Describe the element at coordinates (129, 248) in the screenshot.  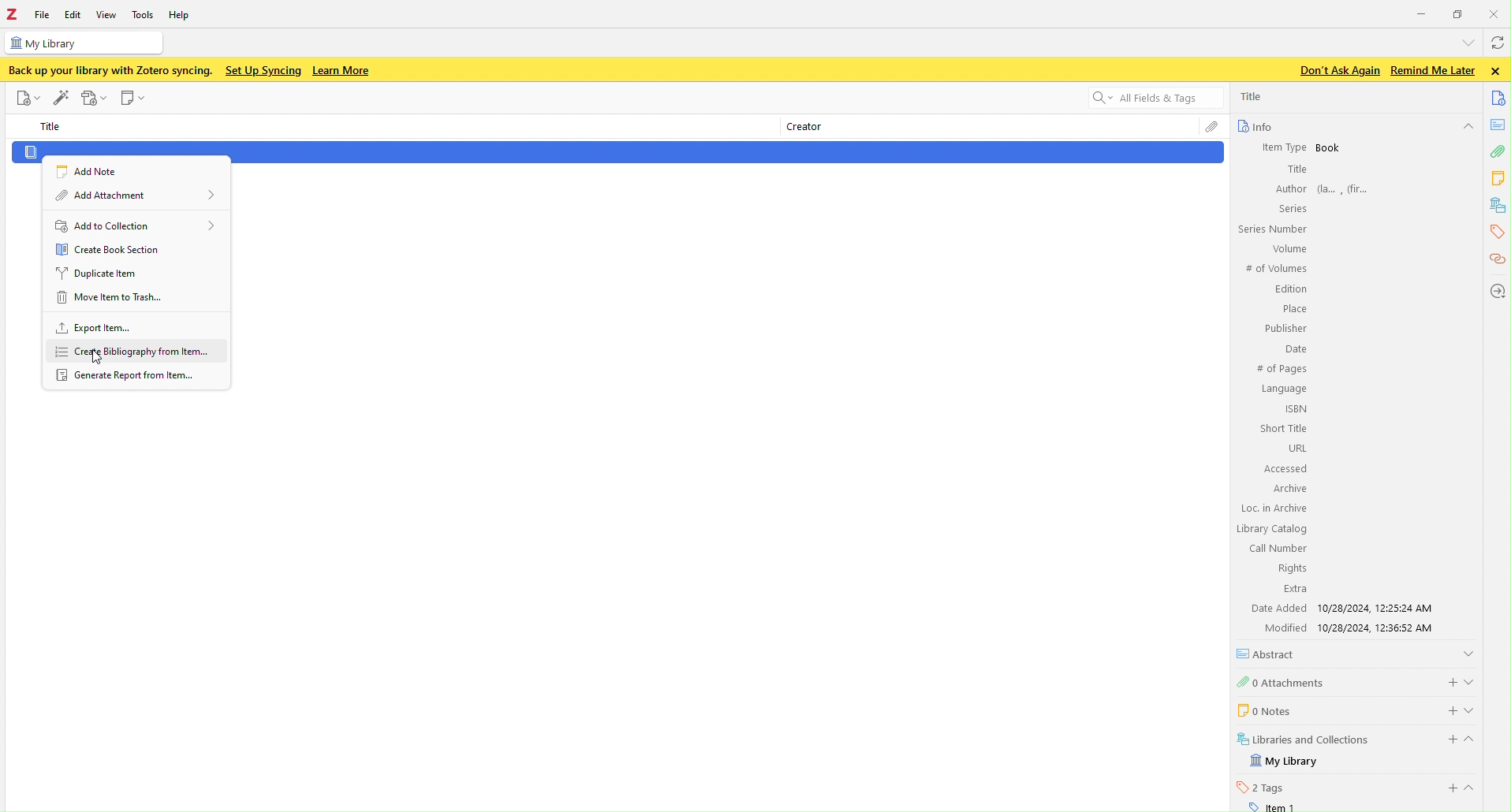
I see `create book sections` at that location.